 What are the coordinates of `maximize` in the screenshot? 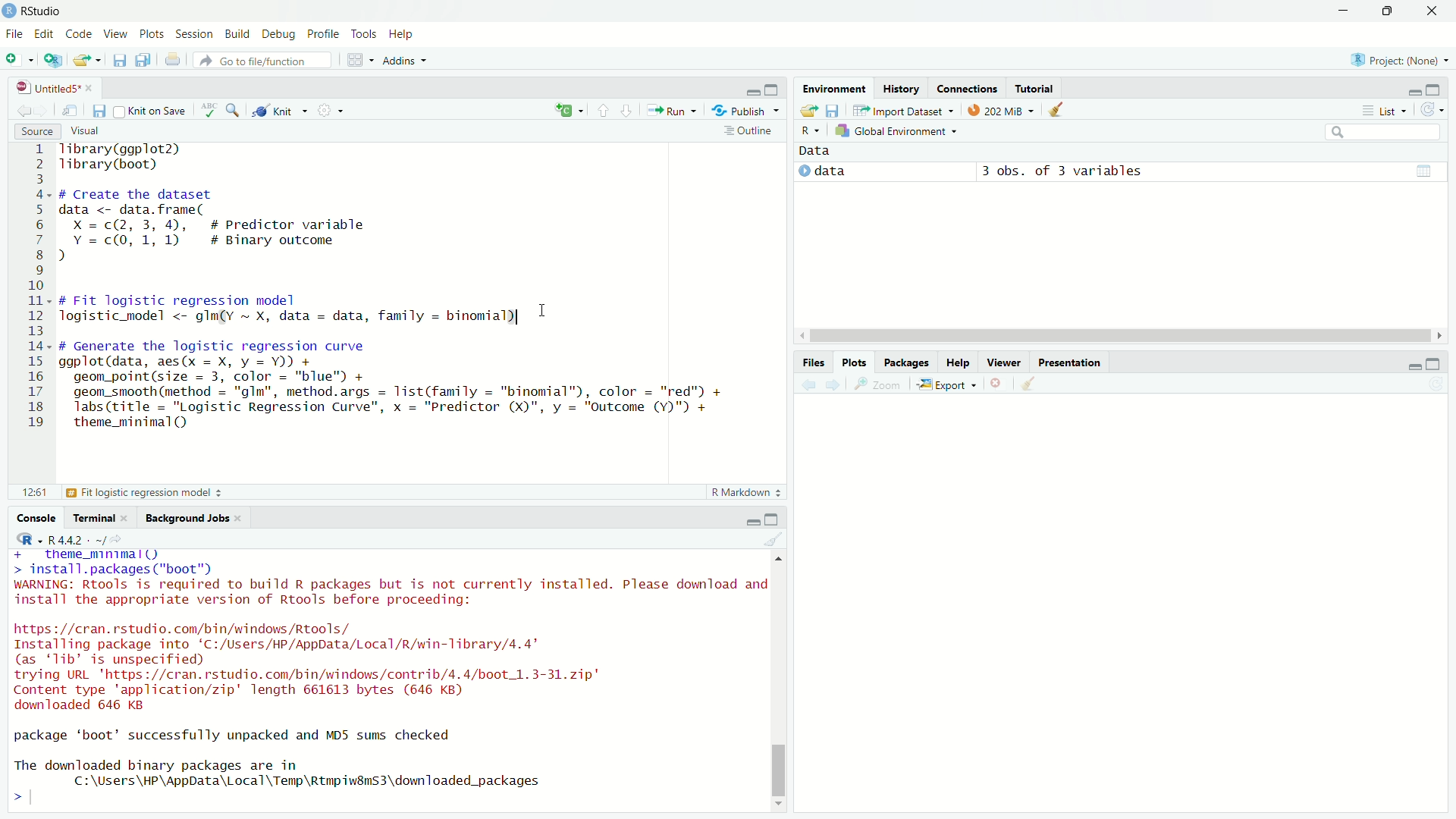 It's located at (771, 519).